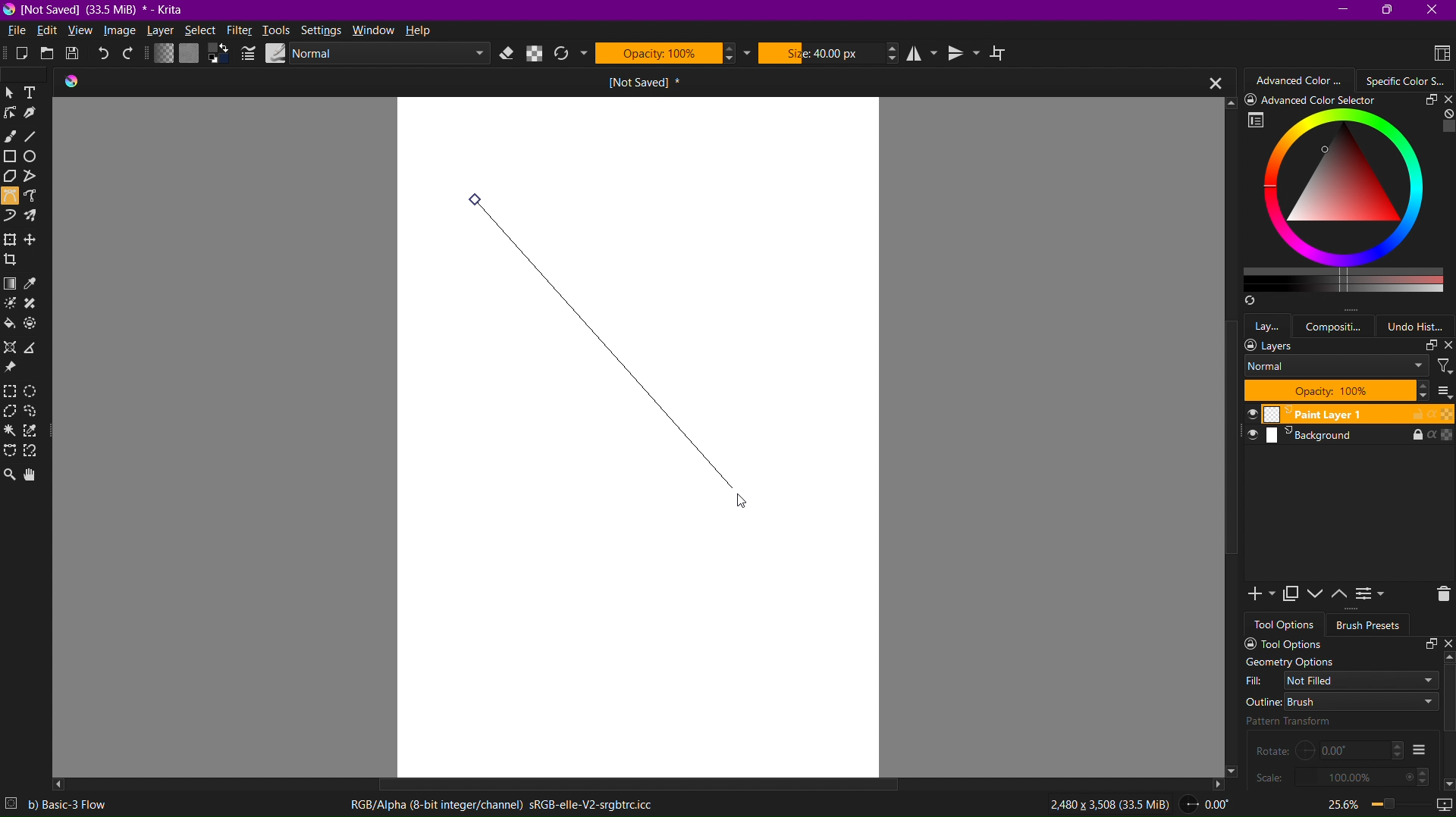 Image resolution: width=1456 pixels, height=817 pixels. I want to click on View or Change Layer Properties, so click(1372, 596).